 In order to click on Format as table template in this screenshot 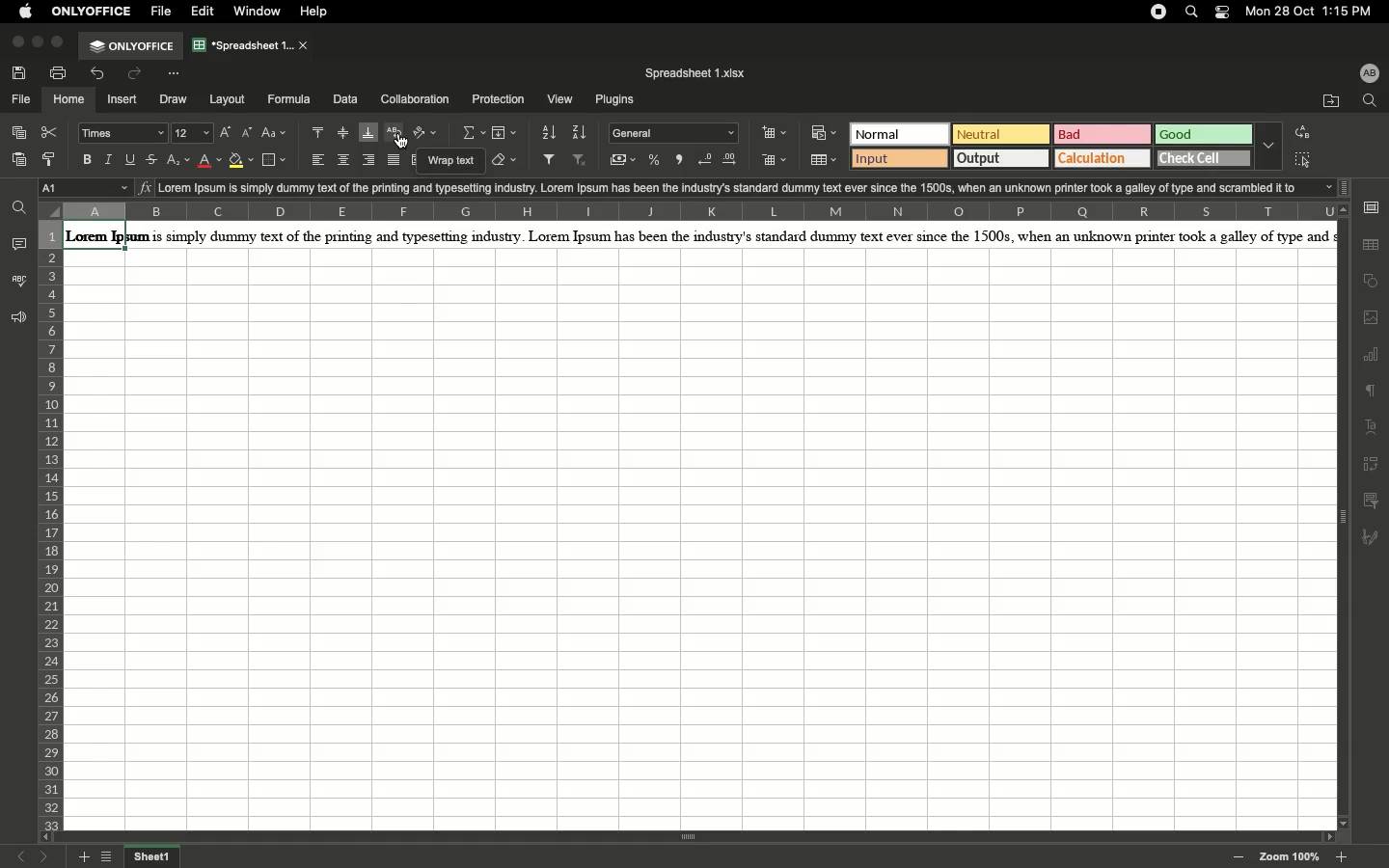, I will do `click(824, 160)`.